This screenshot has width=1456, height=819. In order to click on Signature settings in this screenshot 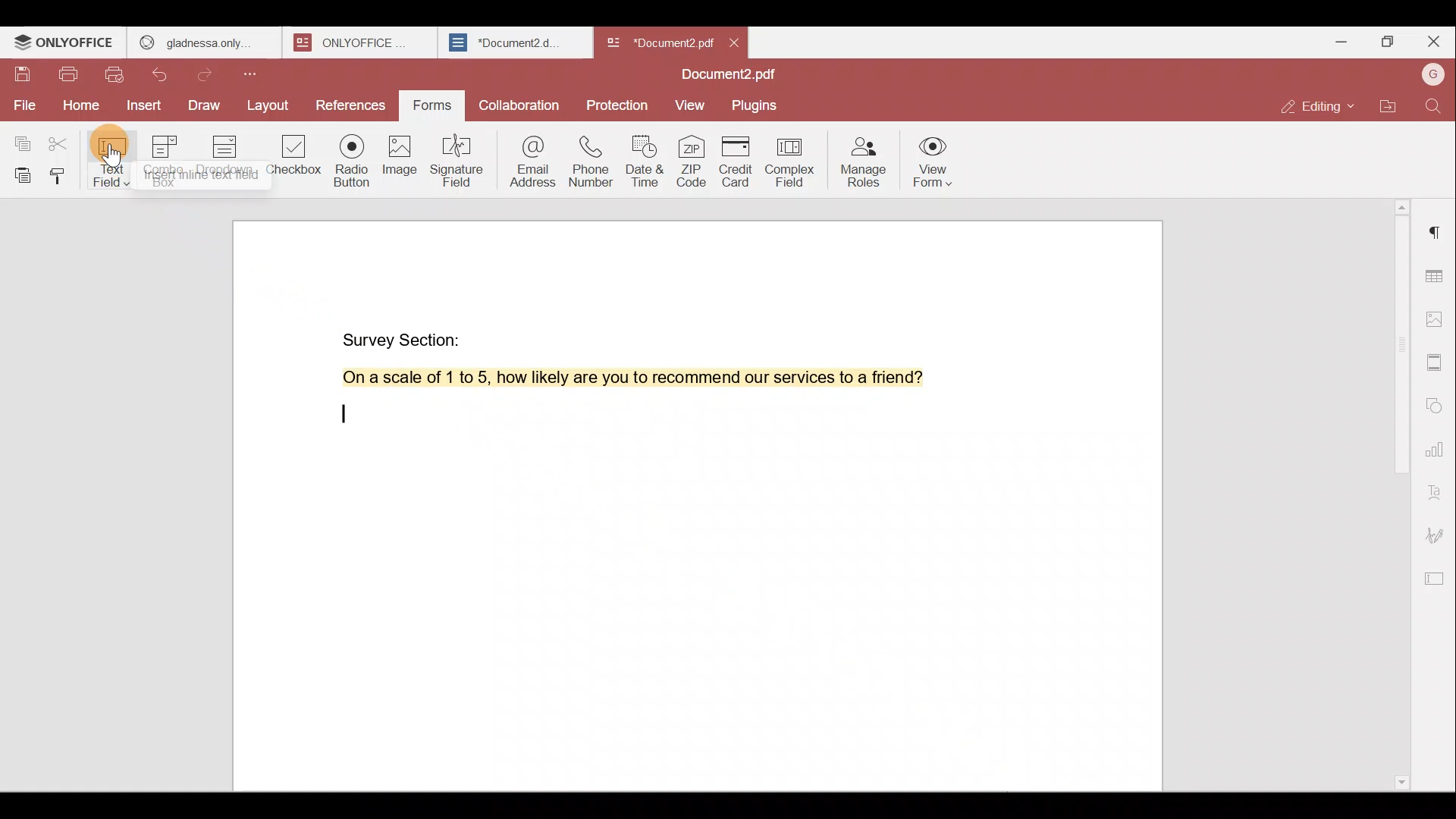, I will do `click(1439, 534)`.